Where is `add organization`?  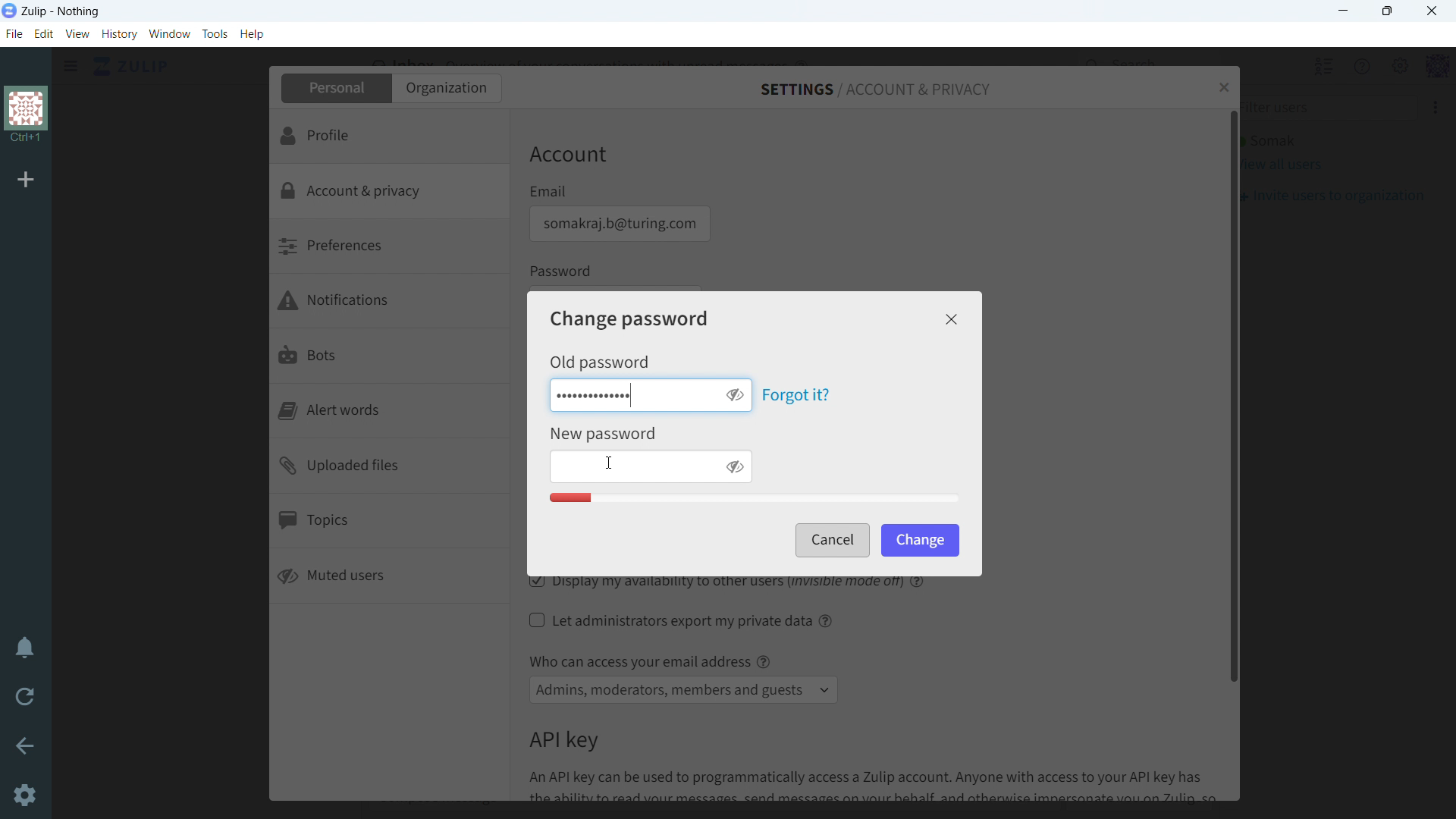 add organization is located at coordinates (26, 178).